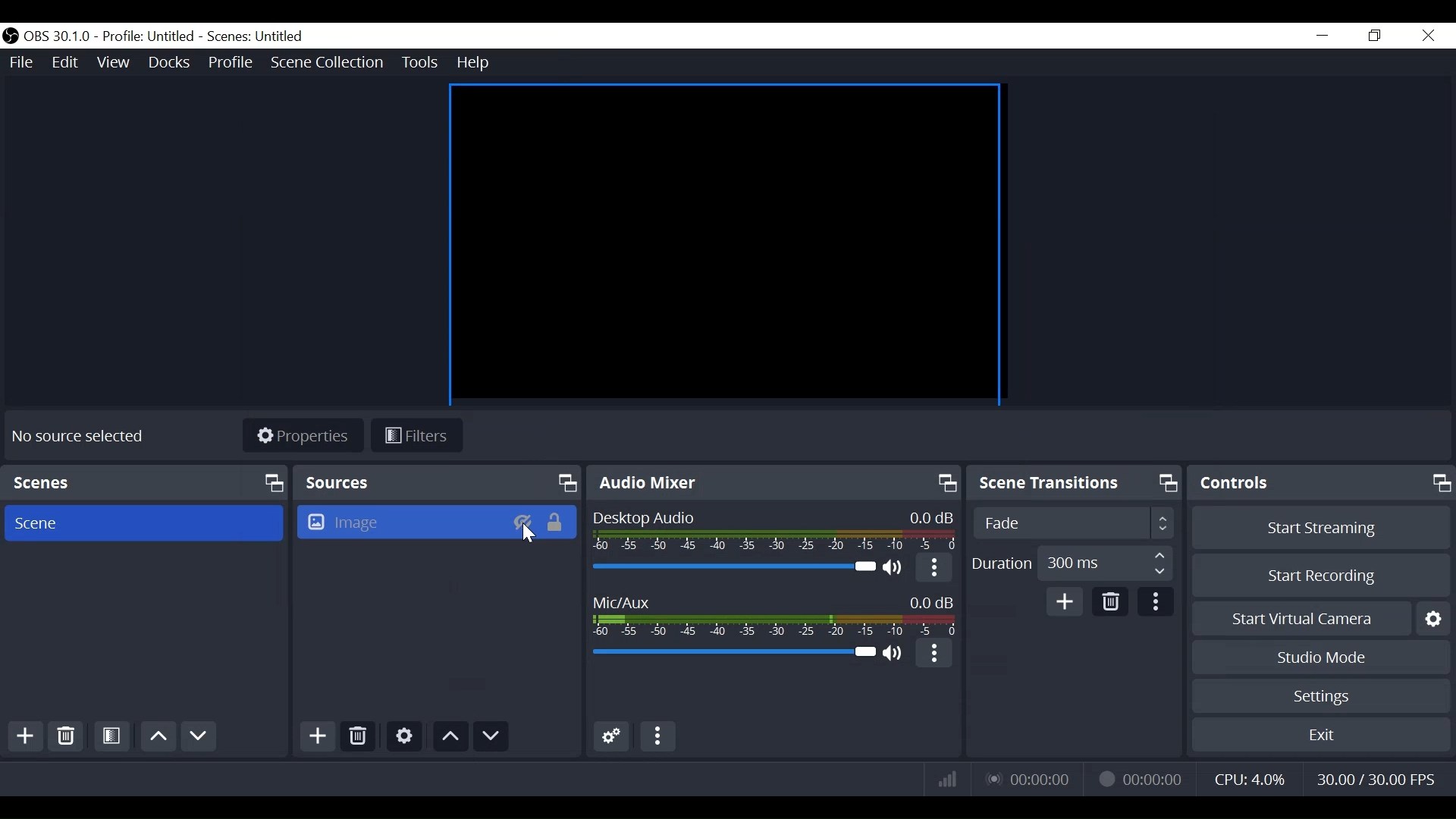  Describe the element at coordinates (894, 564) in the screenshot. I see `(un)mute` at that location.